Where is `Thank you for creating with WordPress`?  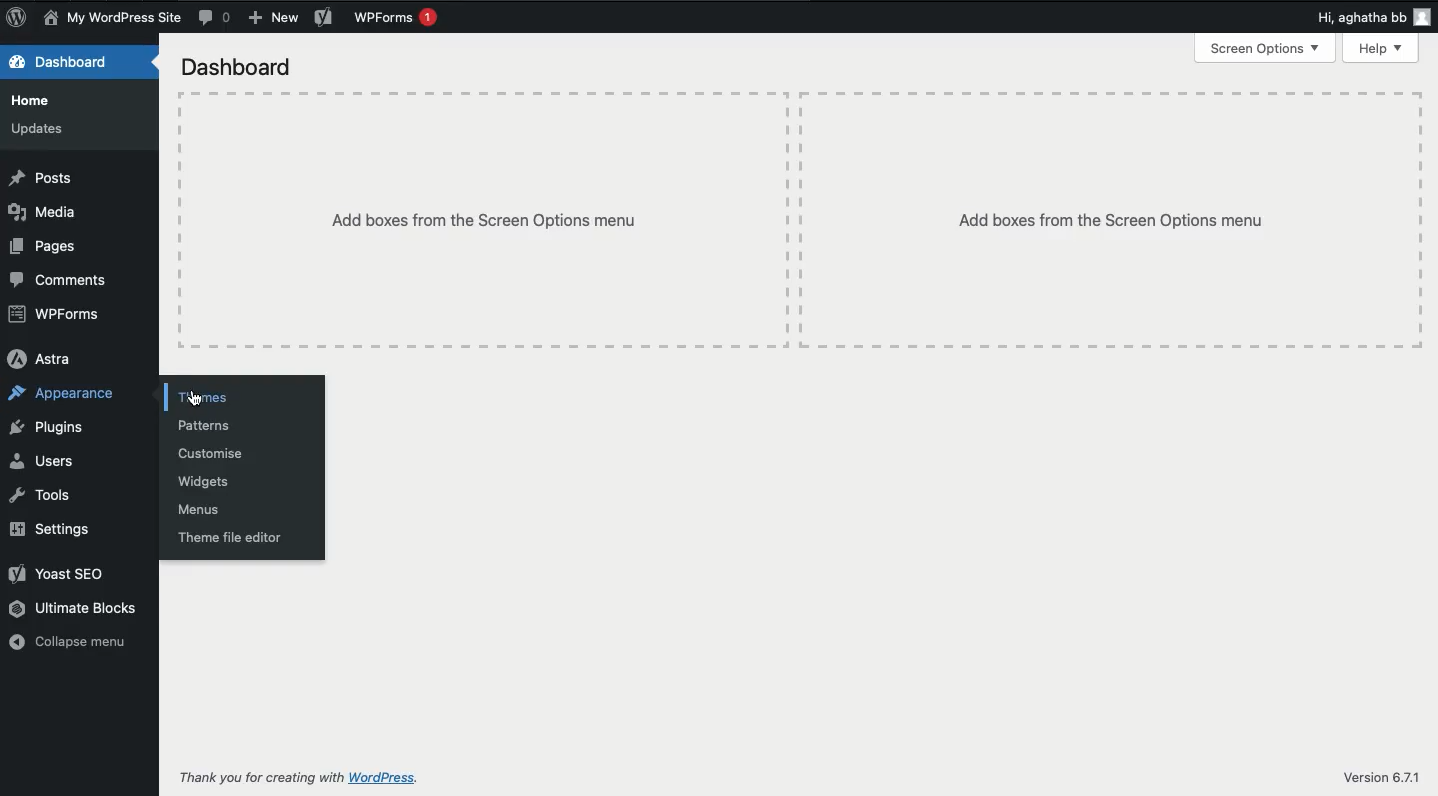
Thank you for creating with WordPress is located at coordinates (298, 780).